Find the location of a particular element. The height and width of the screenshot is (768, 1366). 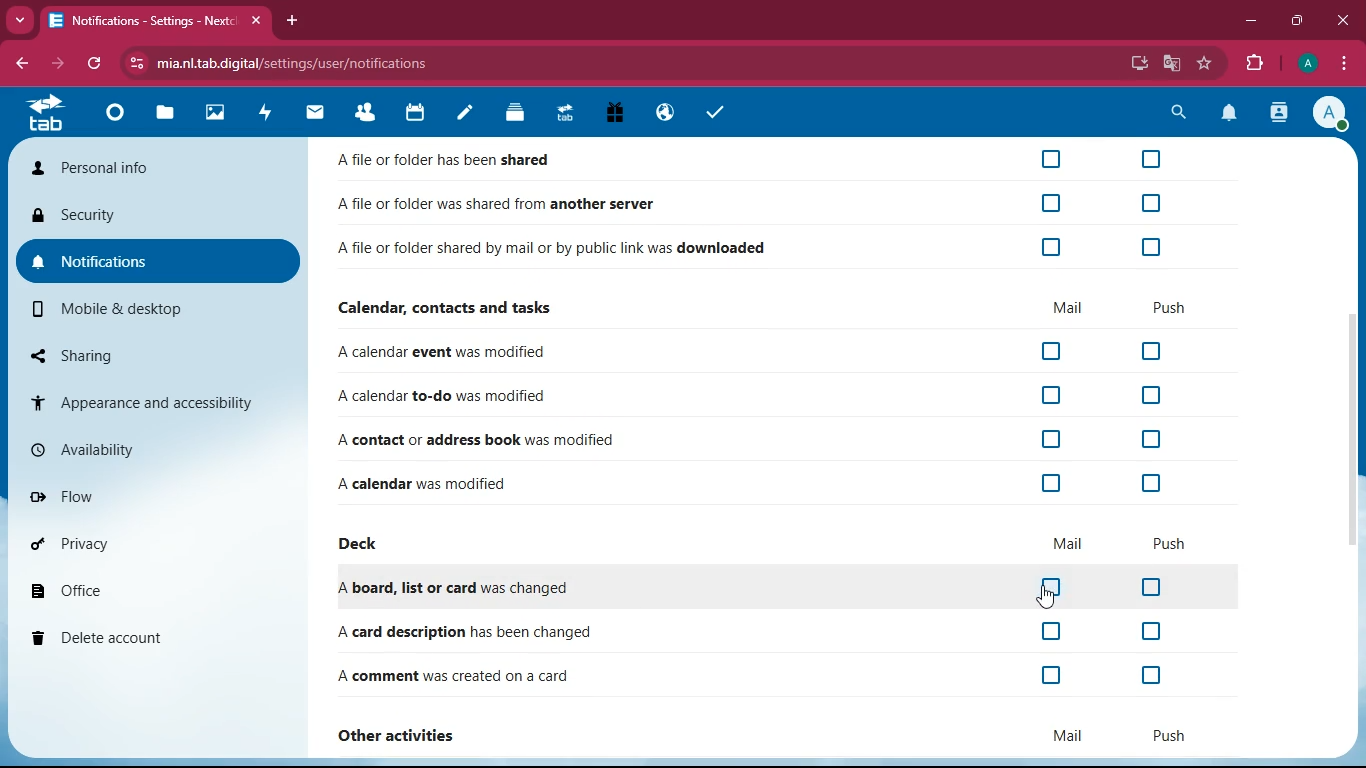

close is located at coordinates (1342, 20).